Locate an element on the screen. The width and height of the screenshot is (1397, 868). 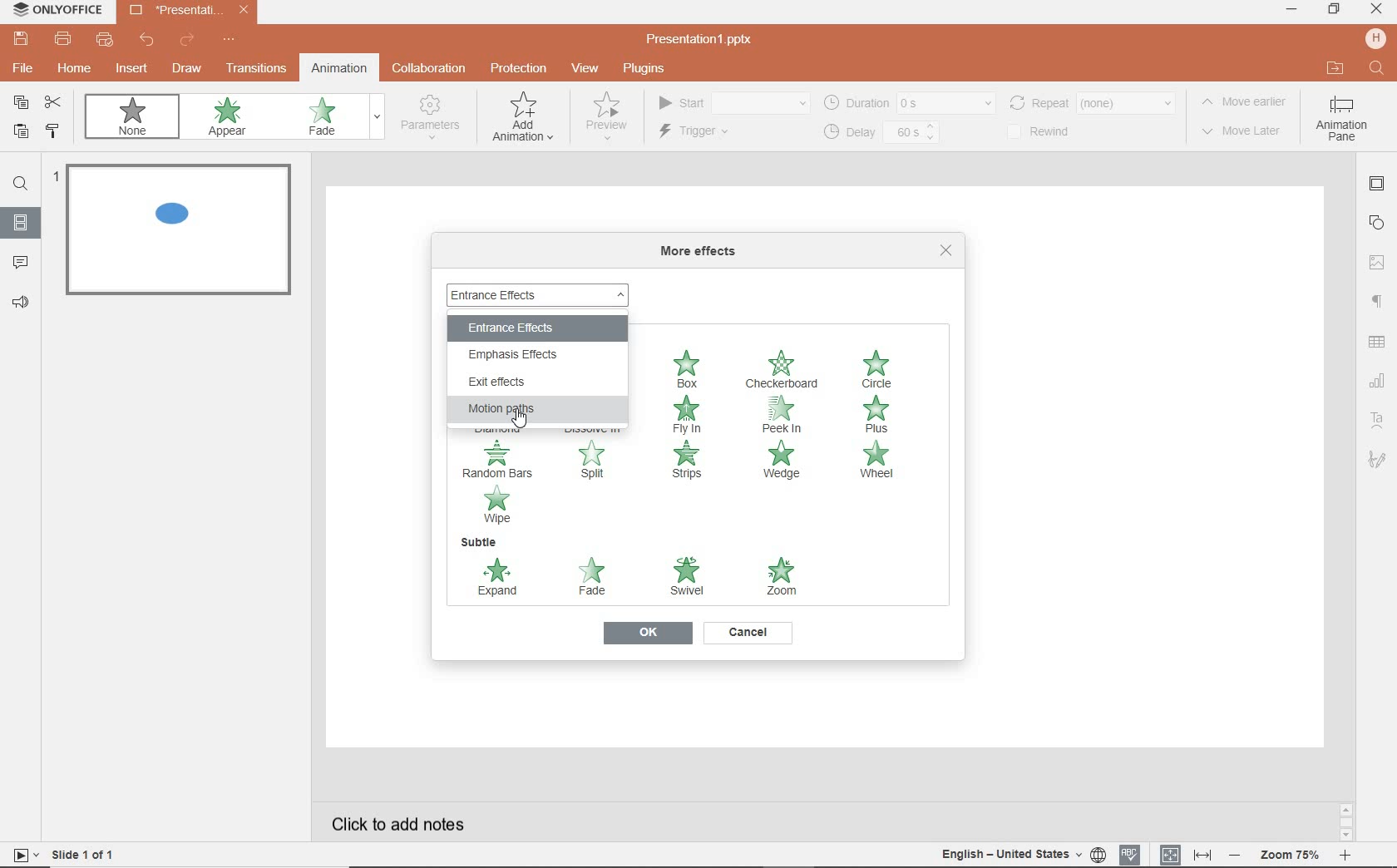
print is located at coordinates (63, 41).